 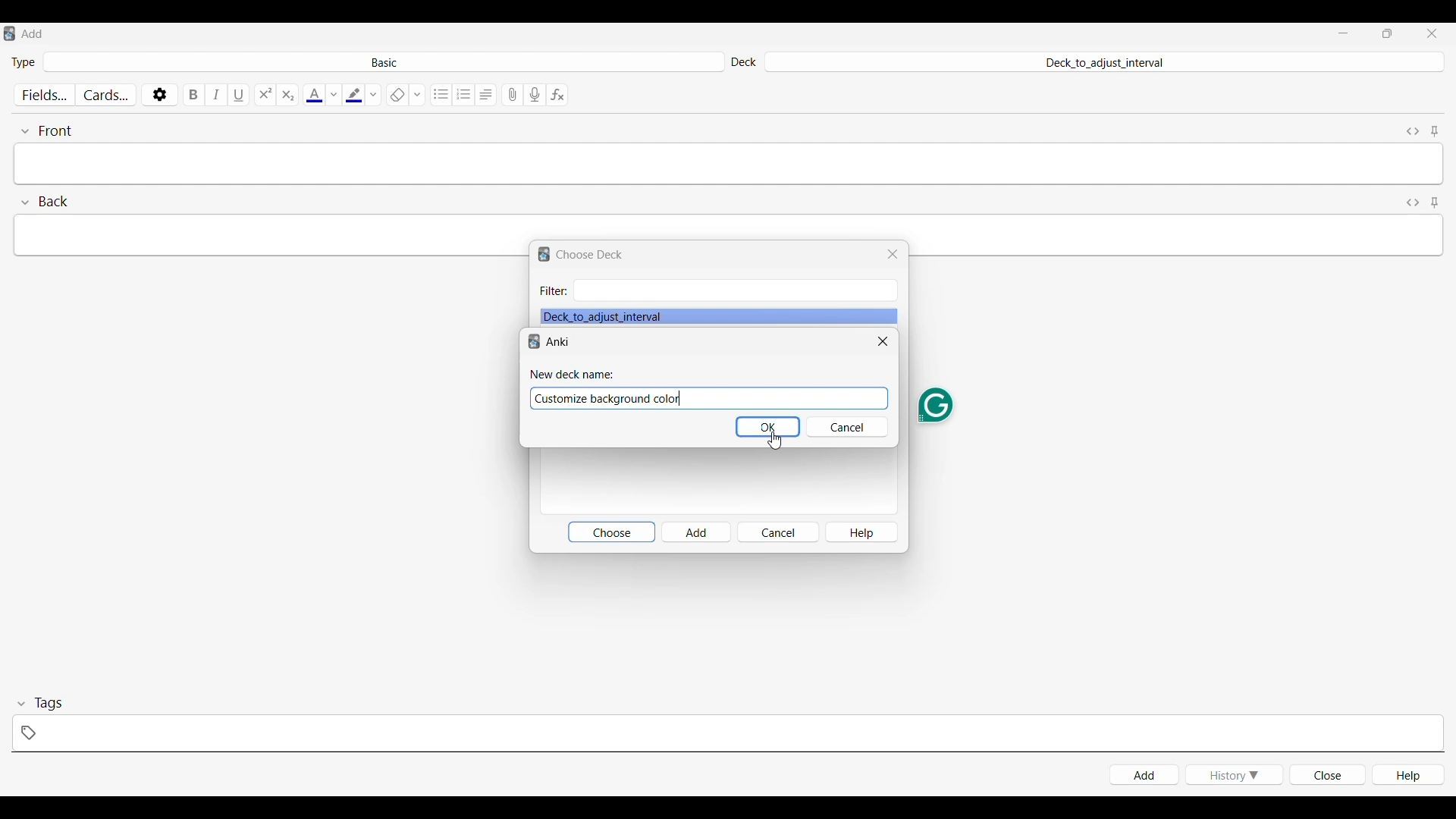 I want to click on Unordered list, so click(x=442, y=95).